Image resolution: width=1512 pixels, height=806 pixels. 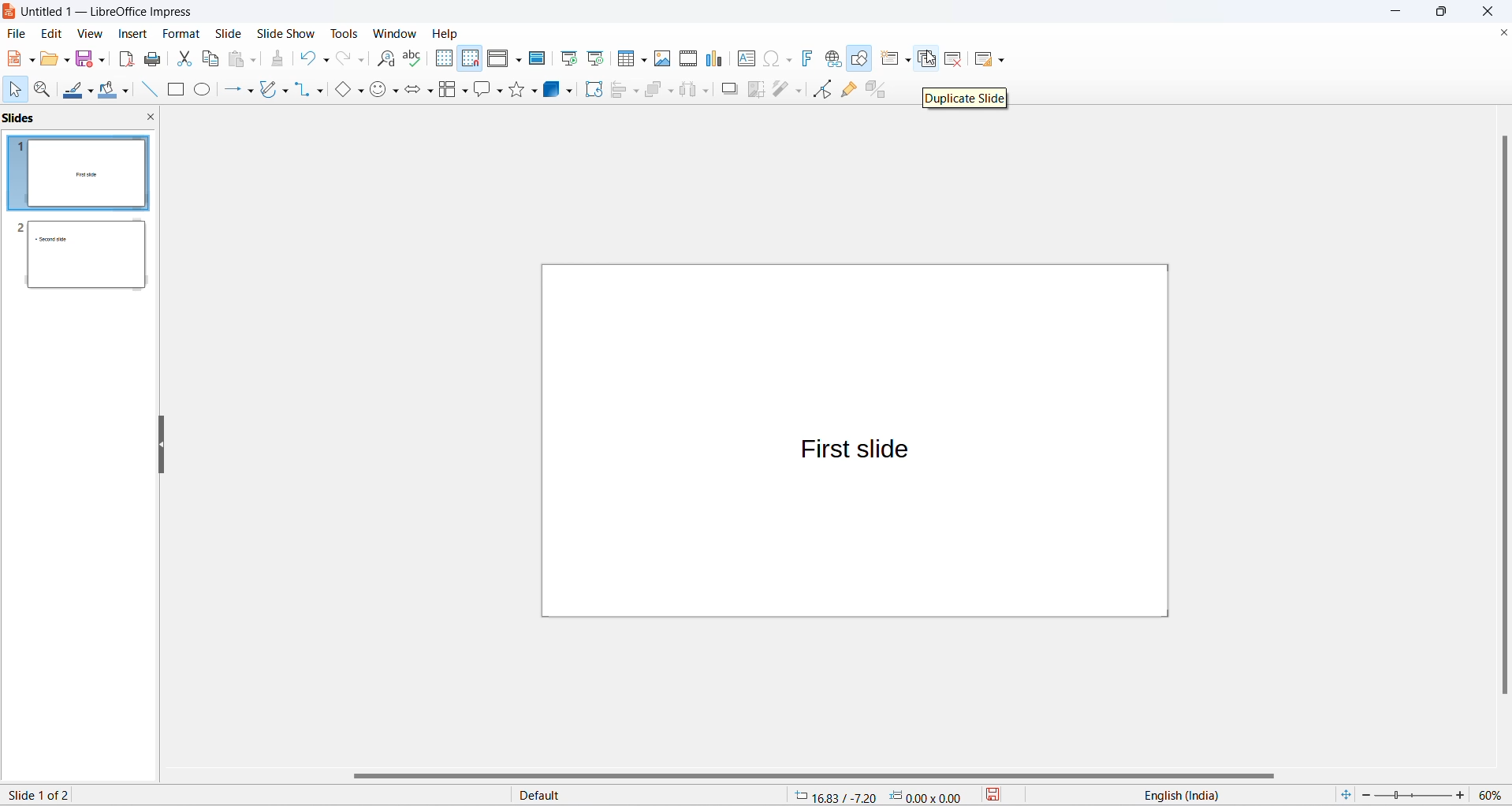 What do you see at coordinates (550, 93) in the screenshot?
I see `3d object` at bounding box center [550, 93].